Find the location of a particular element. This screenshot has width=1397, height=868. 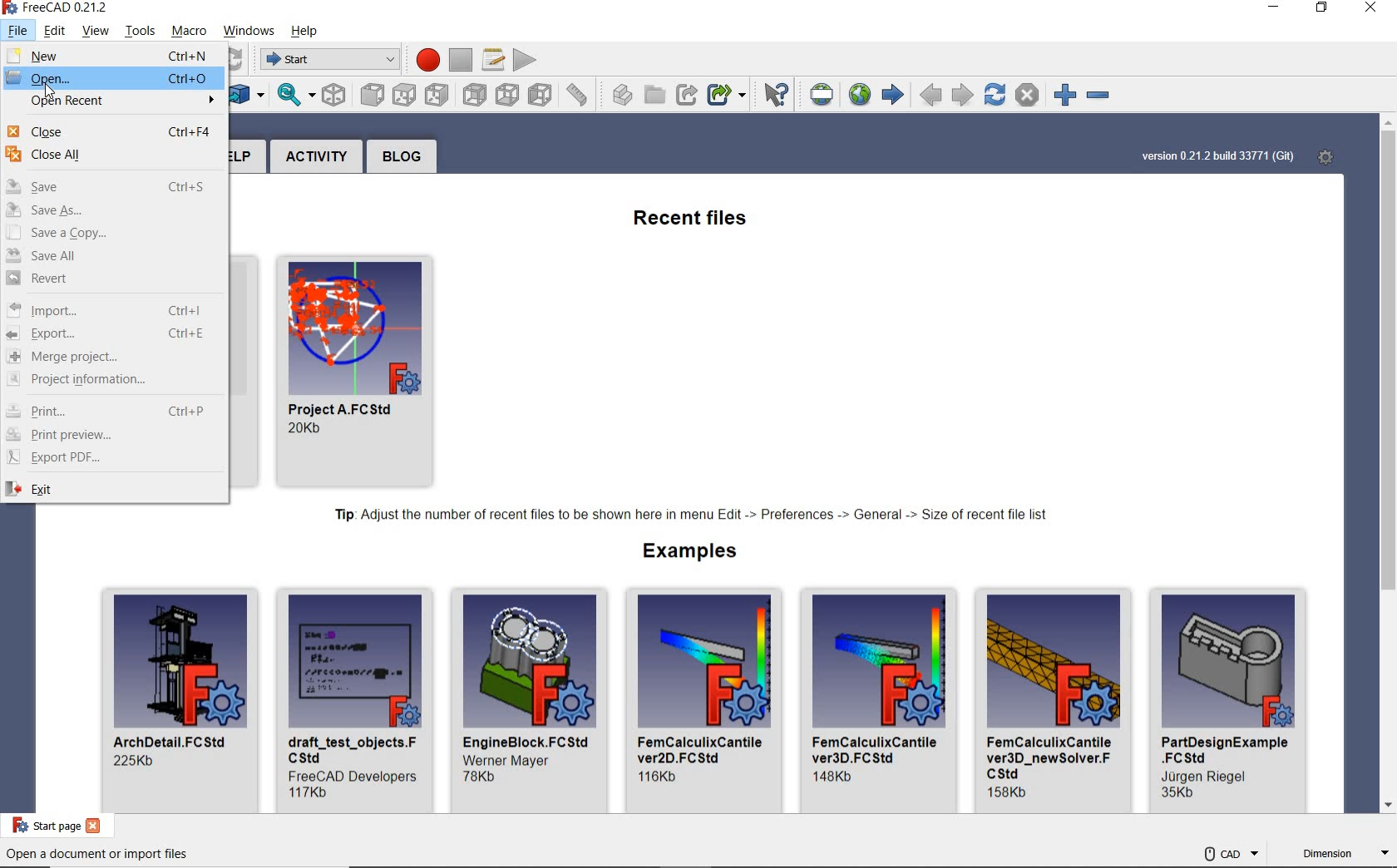

name is located at coordinates (174, 741).